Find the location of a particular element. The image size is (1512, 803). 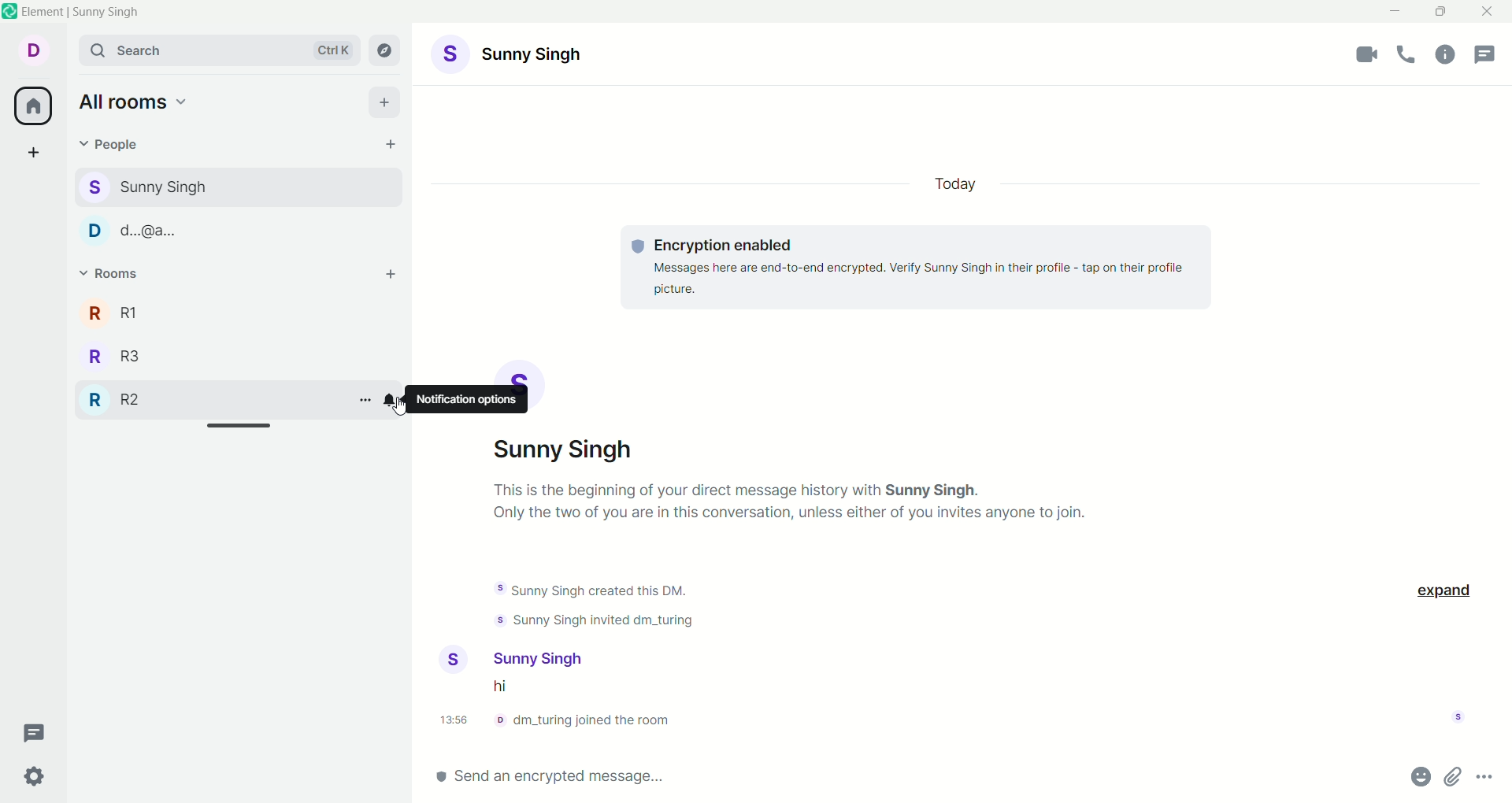

people is located at coordinates (119, 145).